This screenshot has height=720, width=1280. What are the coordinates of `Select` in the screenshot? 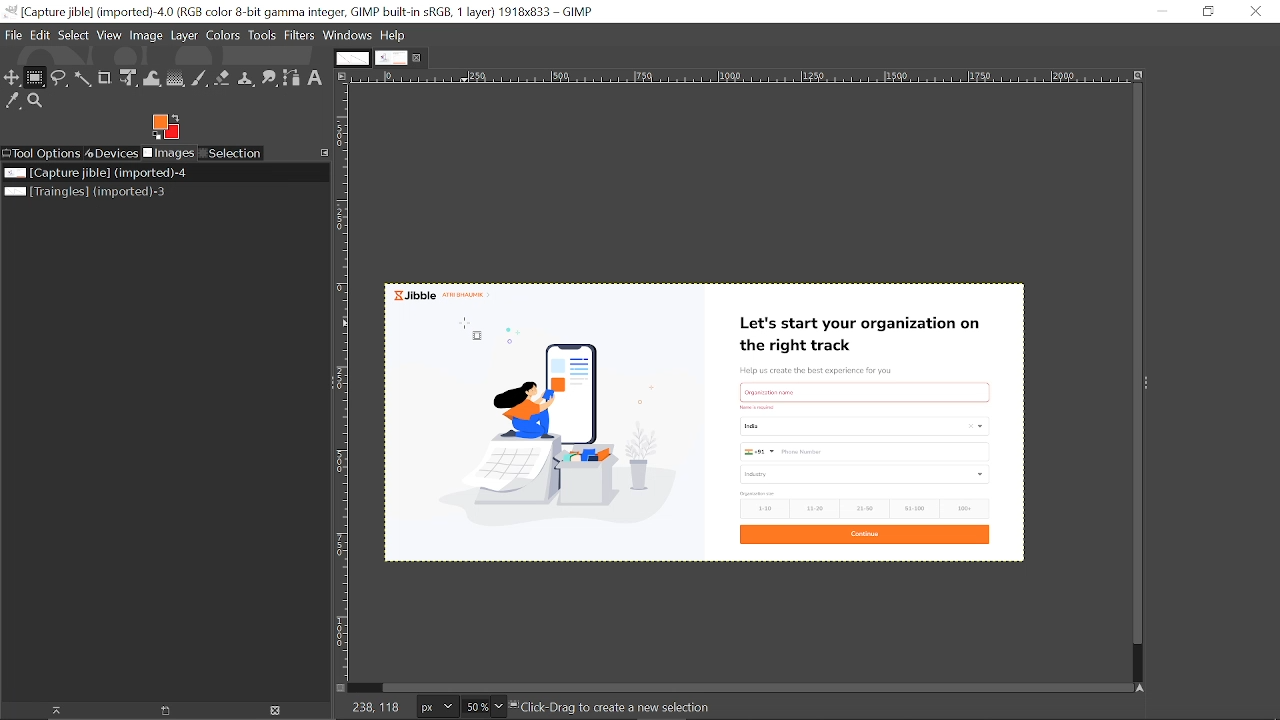 It's located at (74, 35).